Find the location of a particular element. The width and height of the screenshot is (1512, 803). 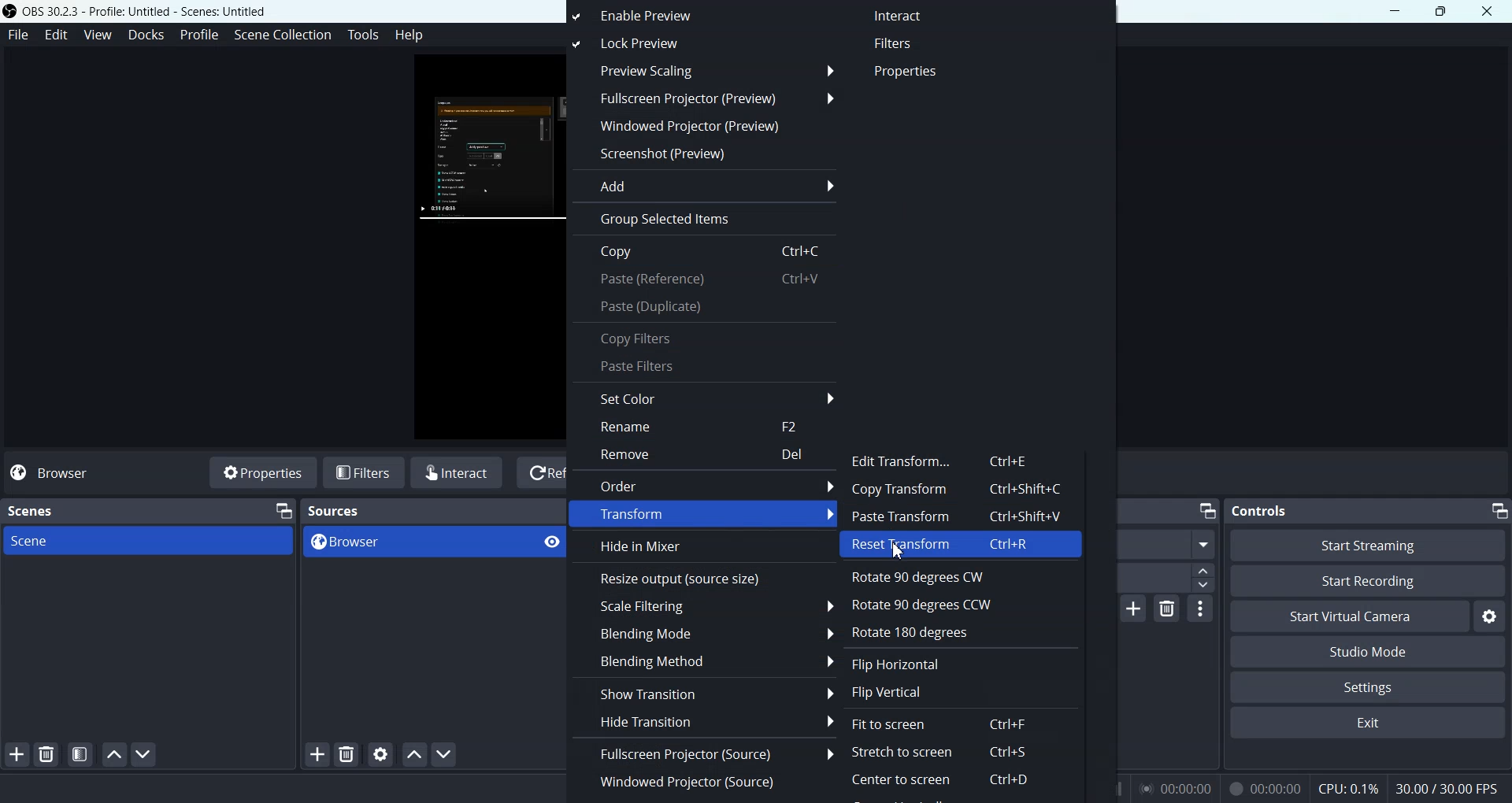

Move scene Up is located at coordinates (111, 754).